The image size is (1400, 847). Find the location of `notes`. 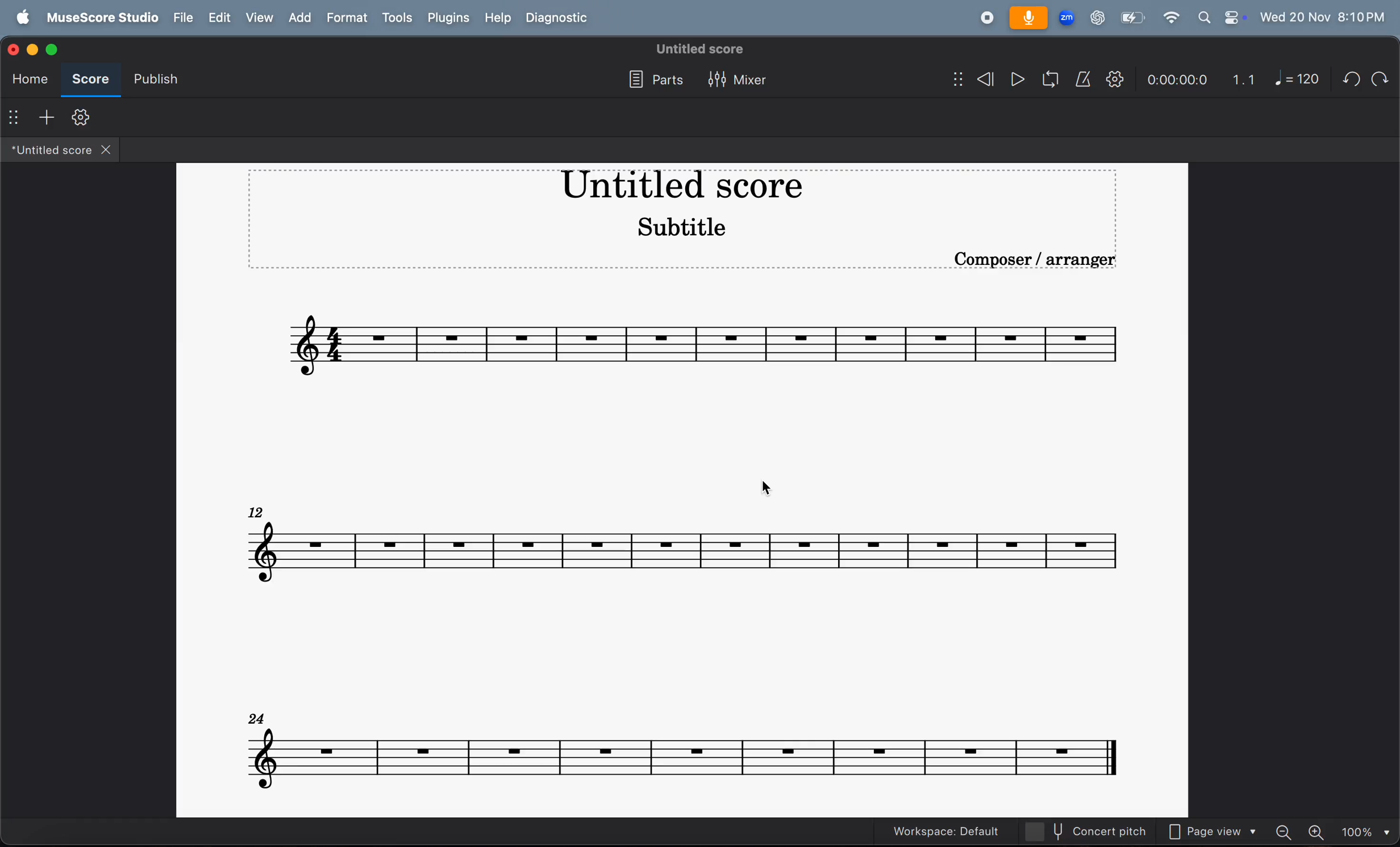

notes is located at coordinates (691, 753).